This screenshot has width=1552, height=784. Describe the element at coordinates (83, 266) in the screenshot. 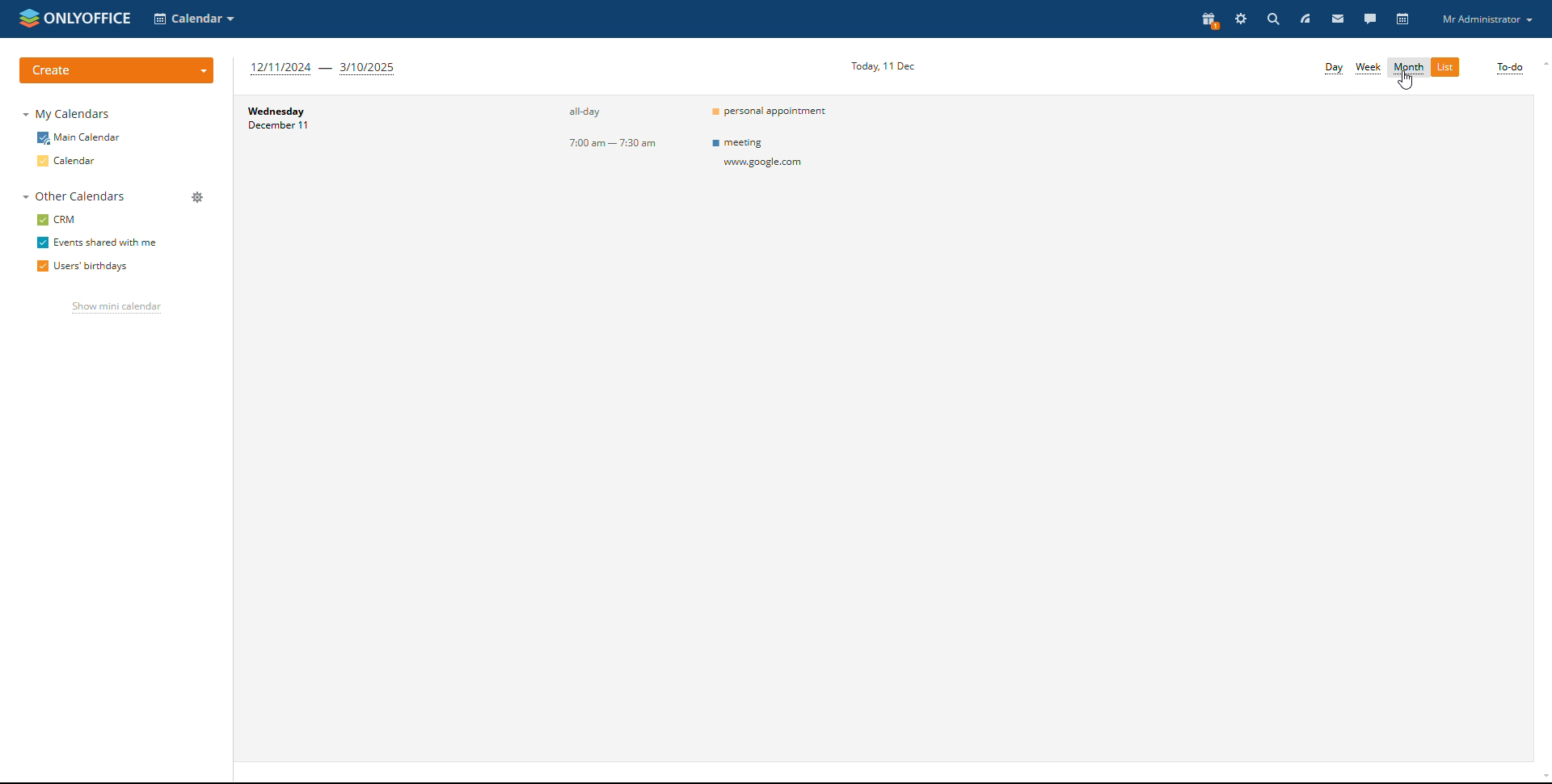

I see `users' birthday` at that location.